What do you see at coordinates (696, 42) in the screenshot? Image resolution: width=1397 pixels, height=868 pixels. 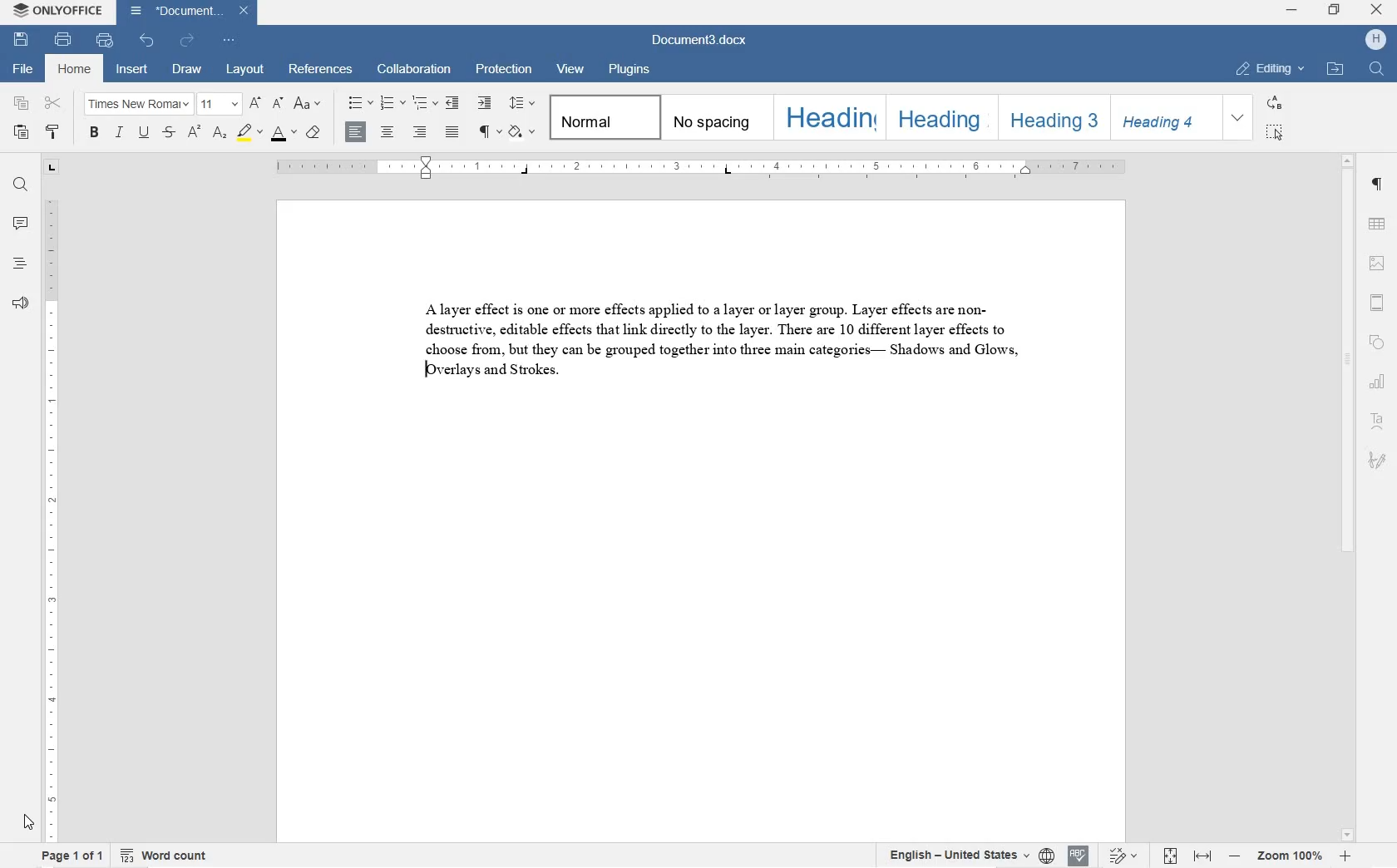 I see `Document3.docx` at bounding box center [696, 42].